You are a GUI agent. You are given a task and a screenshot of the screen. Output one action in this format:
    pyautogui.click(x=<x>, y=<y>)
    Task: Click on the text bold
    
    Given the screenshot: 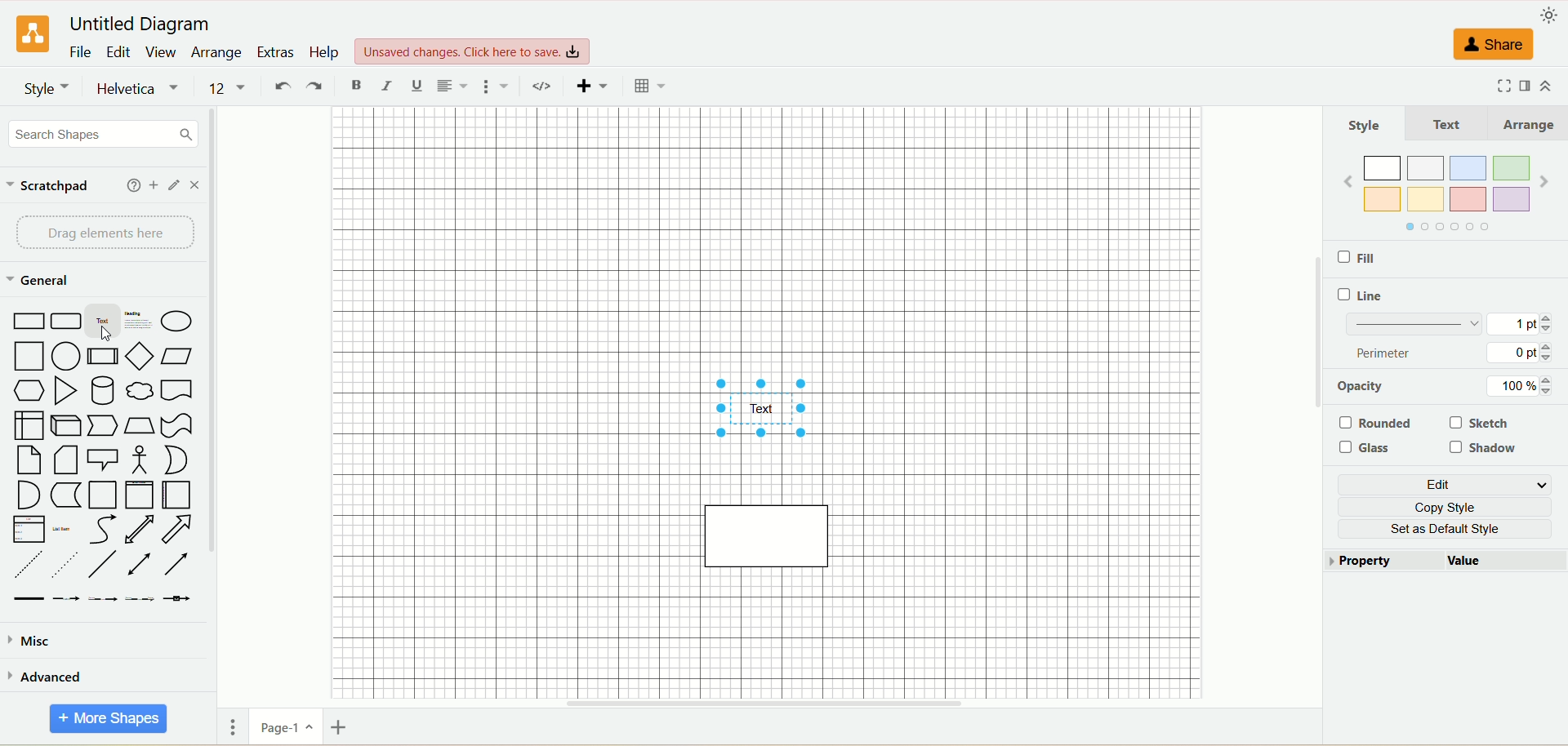 What is the action you would take?
    pyautogui.click(x=356, y=85)
    